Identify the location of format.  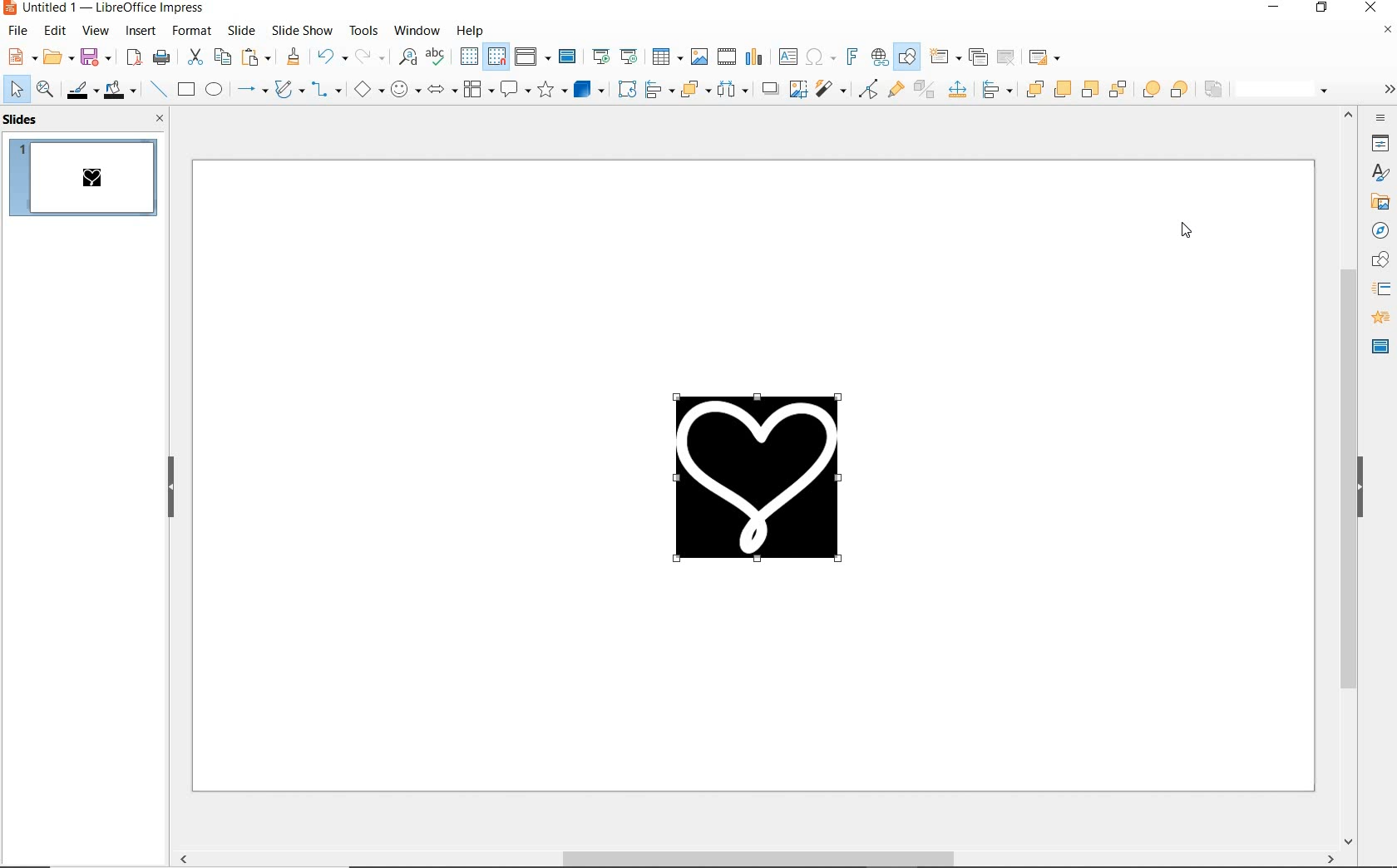
(192, 31).